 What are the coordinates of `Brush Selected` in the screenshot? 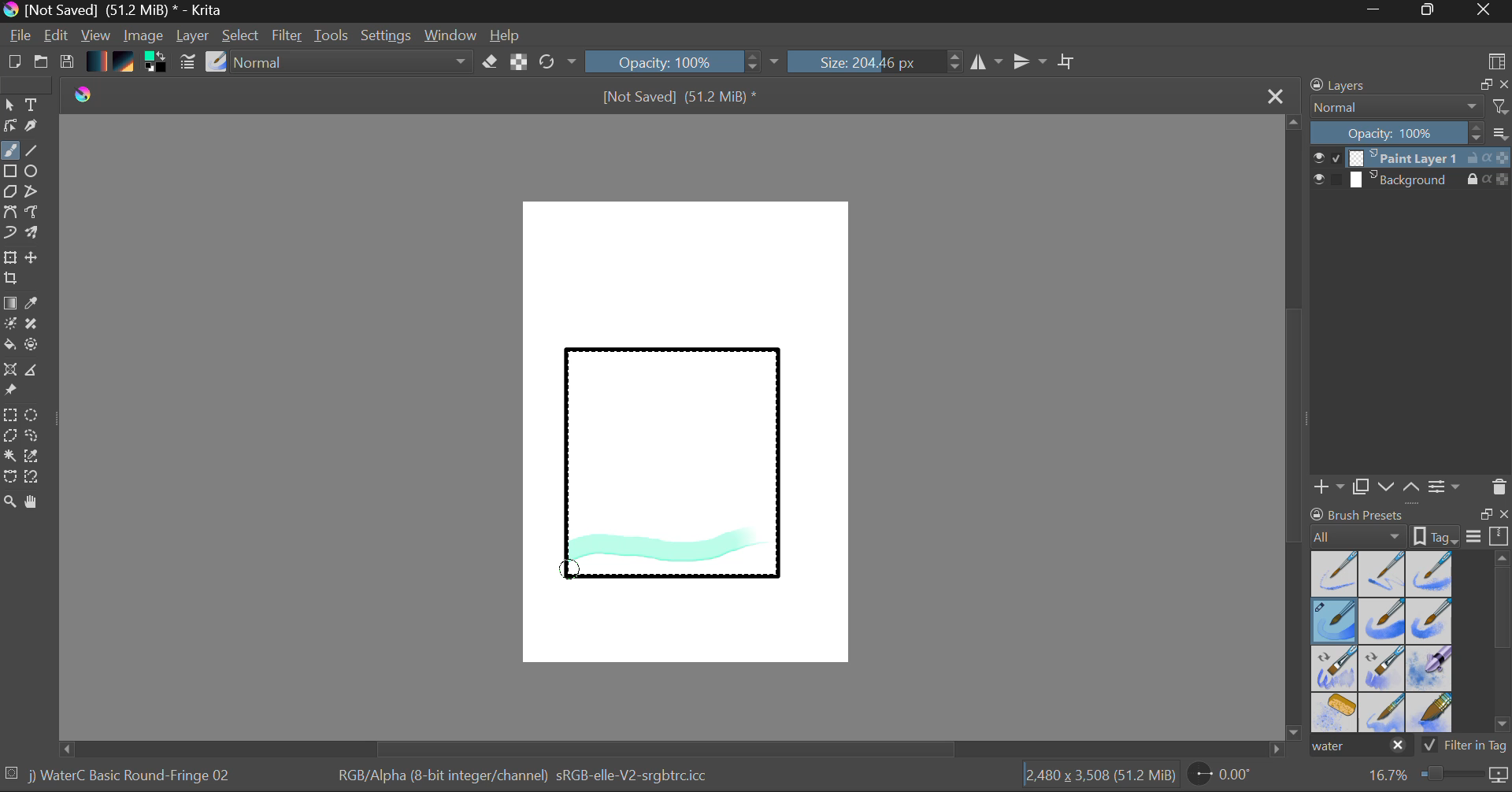 It's located at (1336, 622).